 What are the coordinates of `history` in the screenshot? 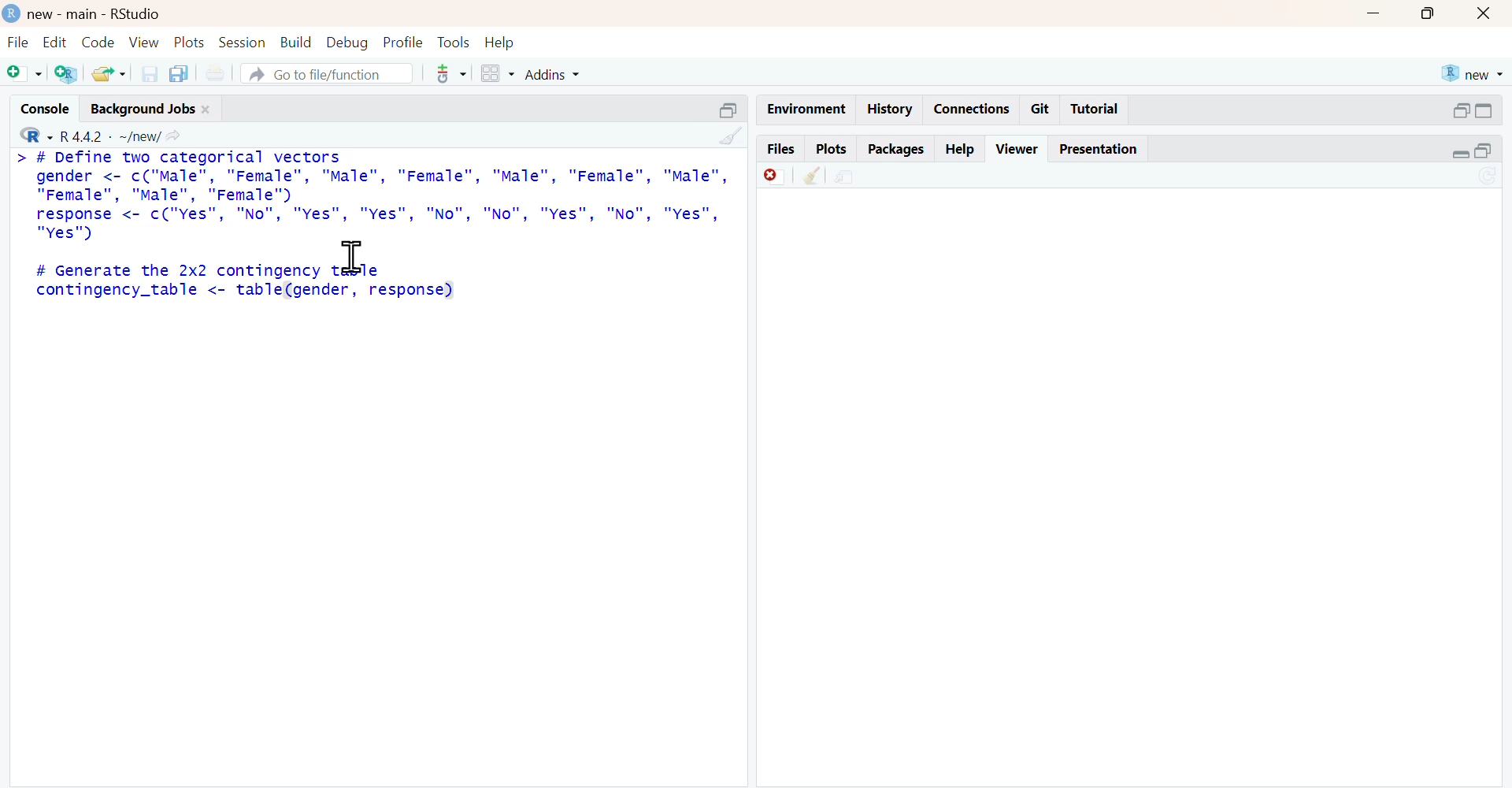 It's located at (891, 108).